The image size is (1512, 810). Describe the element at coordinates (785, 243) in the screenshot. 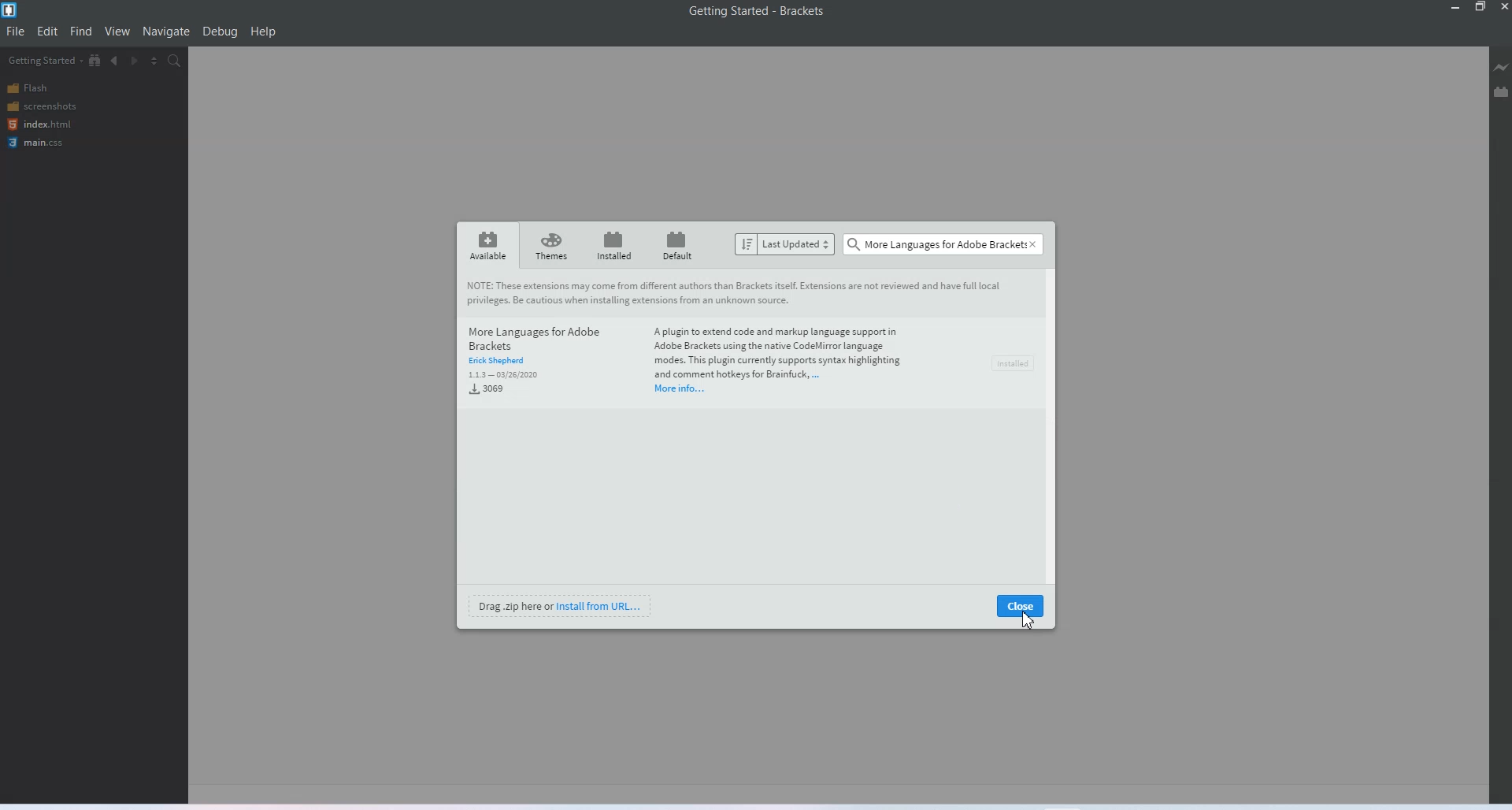

I see `Sort by` at that location.